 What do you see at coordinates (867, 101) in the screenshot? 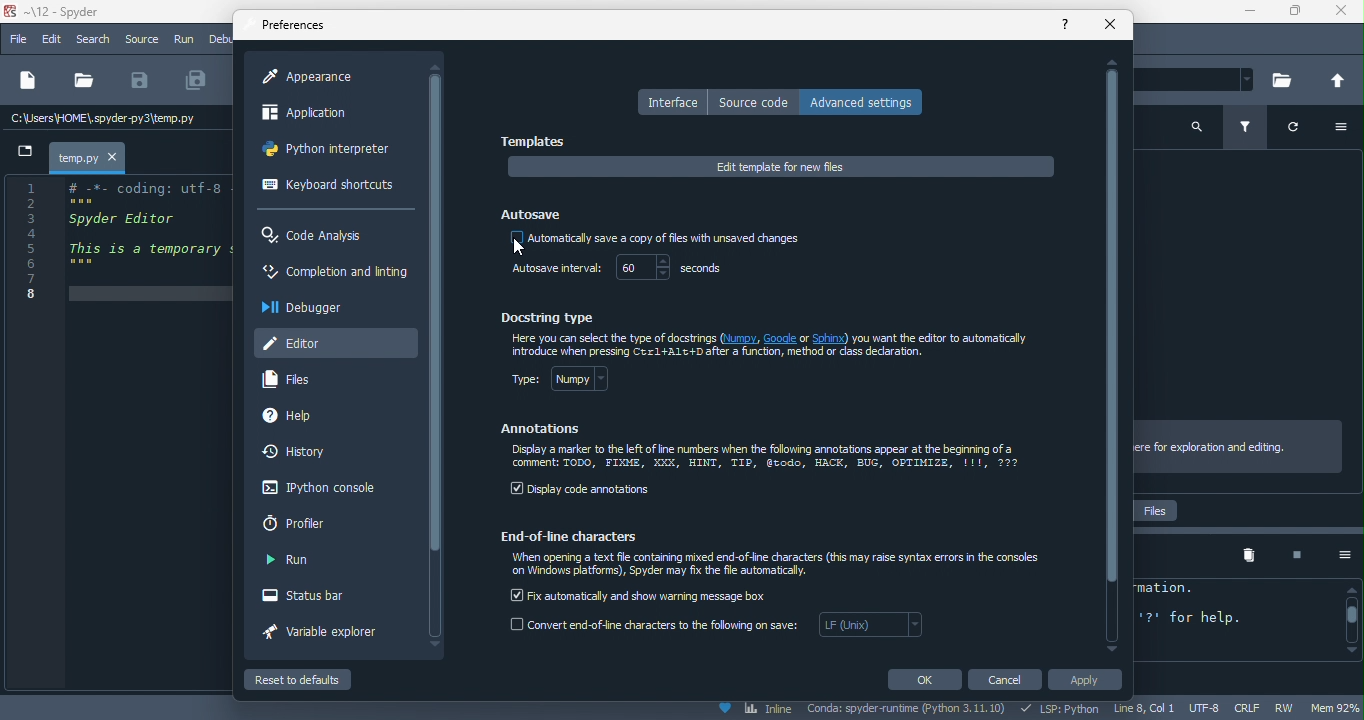
I see `advanced settings` at bounding box center [867, 101].